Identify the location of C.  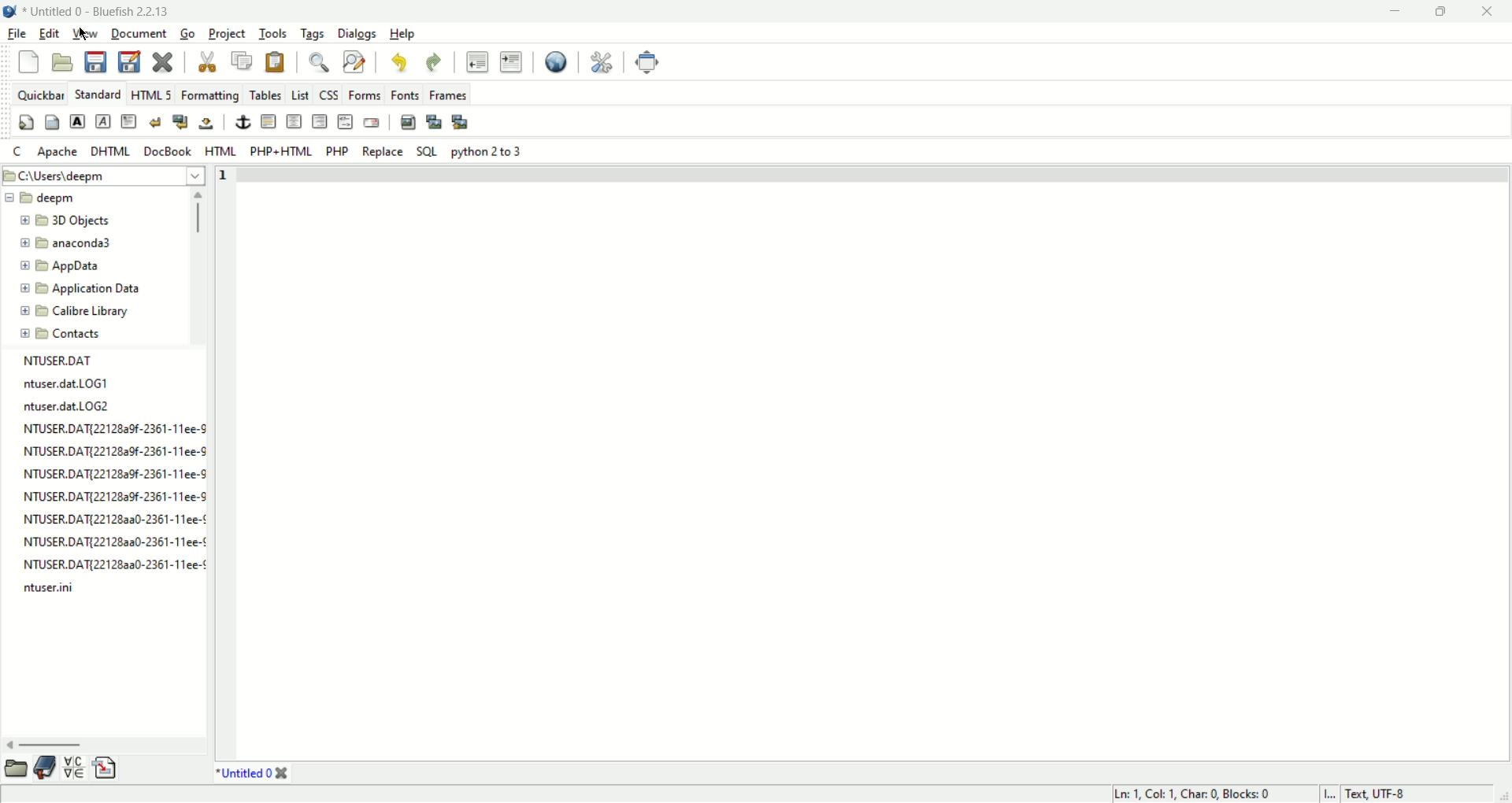
(16, 150).